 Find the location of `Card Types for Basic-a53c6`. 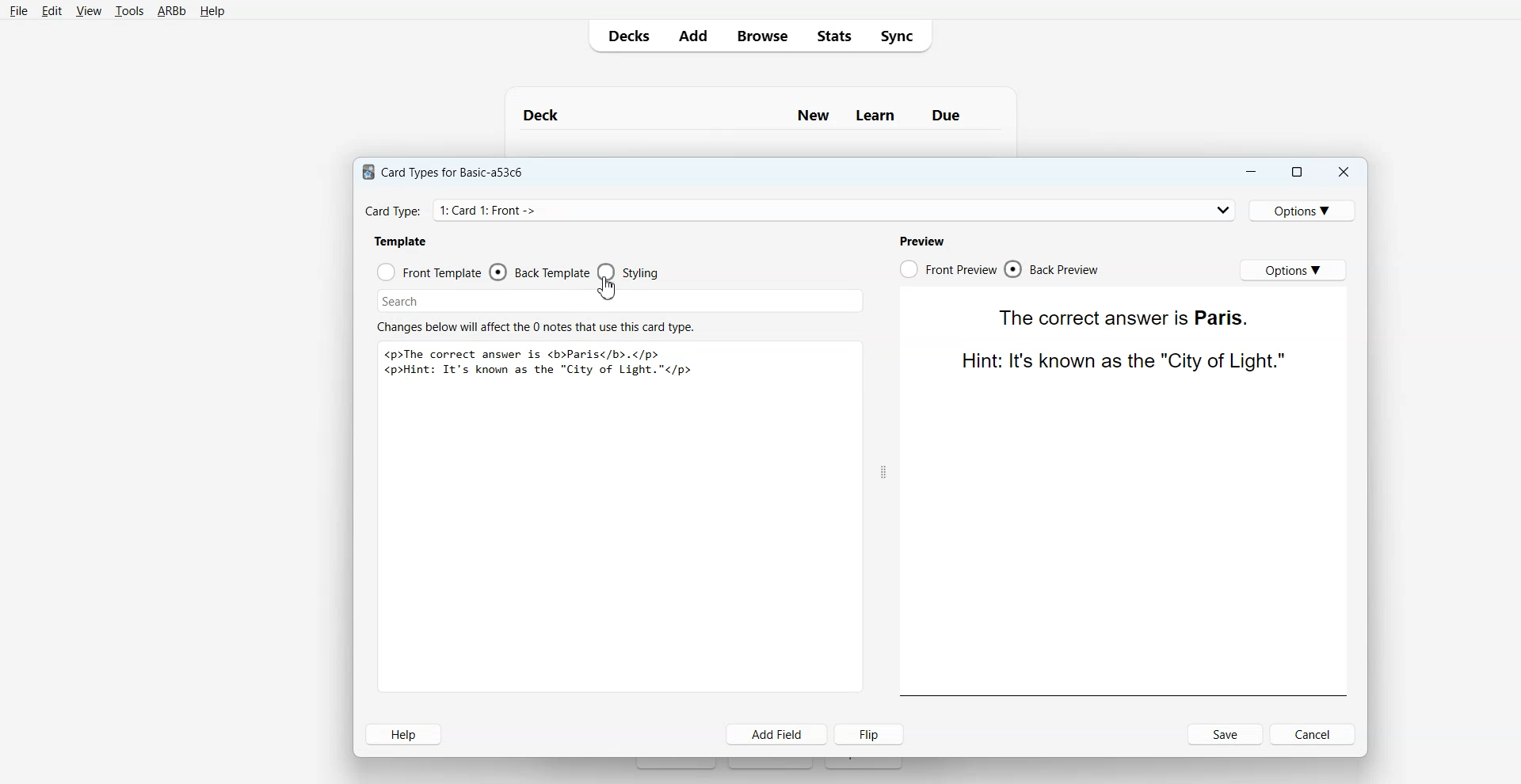

Card Types for Basic-a53c6 is located at coordinates (444, 171).